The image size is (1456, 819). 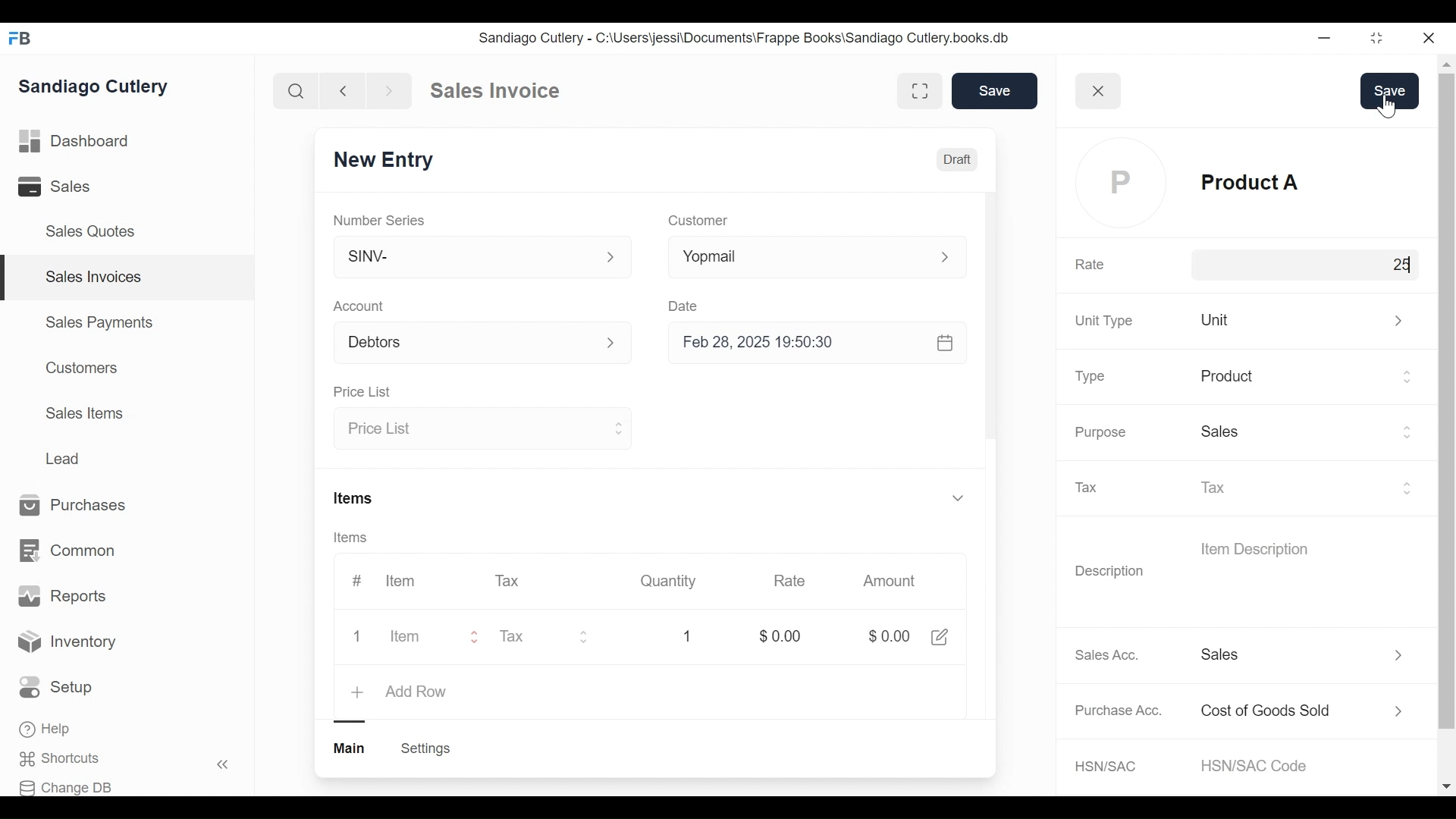 What do you see at coordinates (1445, 400) in the screenshot?
I see `scrollbar` at bounding box center [1445, 400].